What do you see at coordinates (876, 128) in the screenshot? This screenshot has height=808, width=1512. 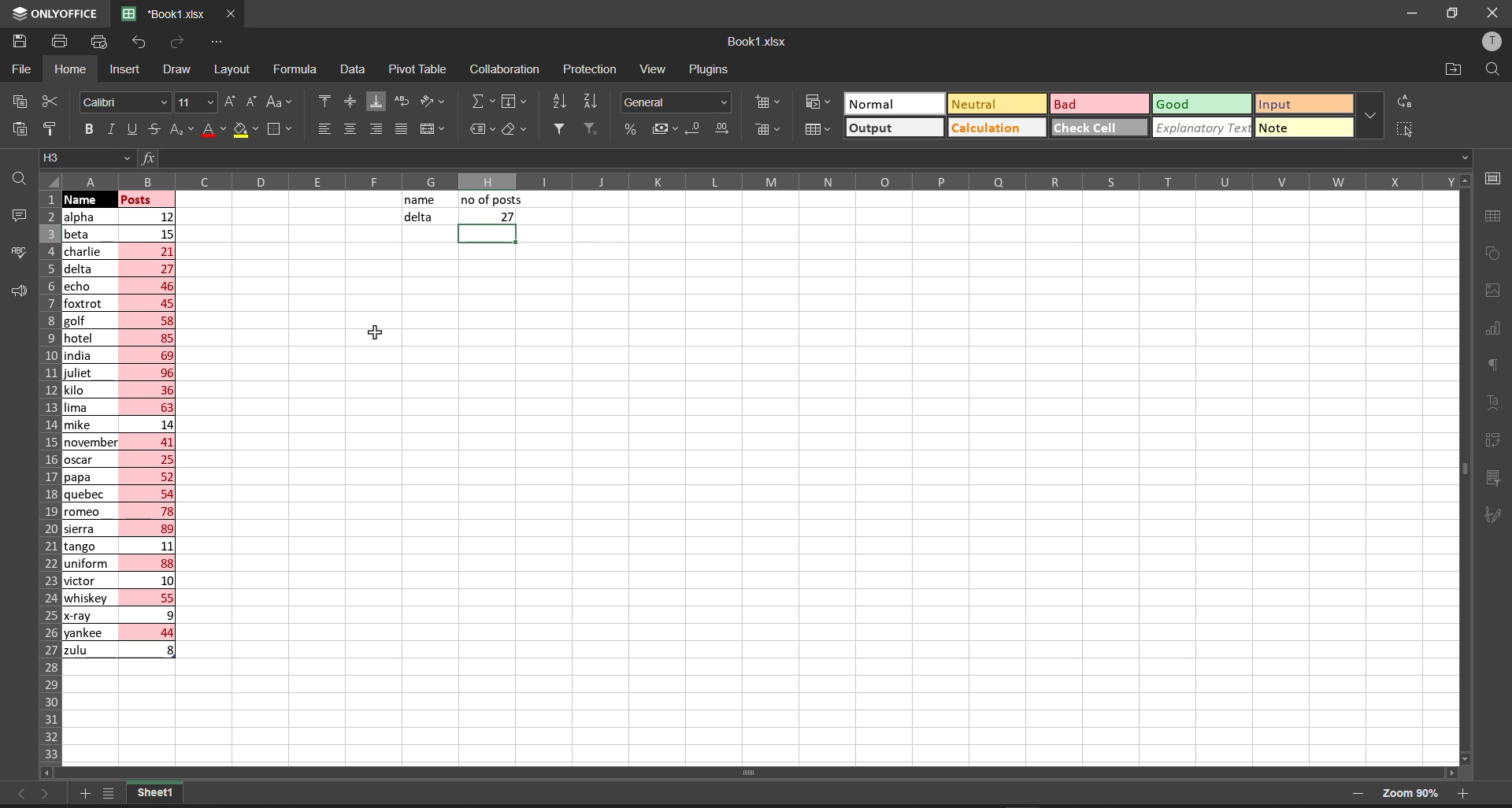 I see `output` at bounding box center [876, 128].